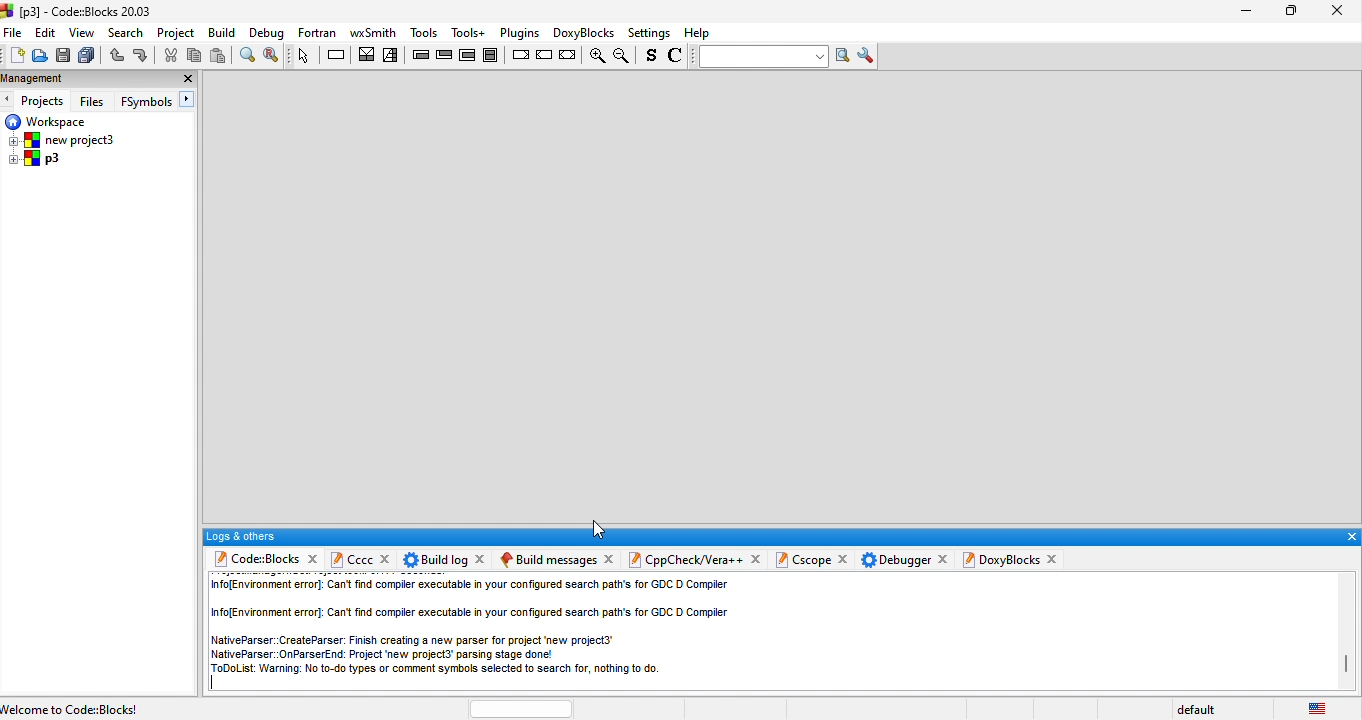 Image resolution: width=1362 pixels, height=720 pixels. What do you see at coordinates (14, 32) in the screenshot?
I see `file` at bounding box center [14, 32].